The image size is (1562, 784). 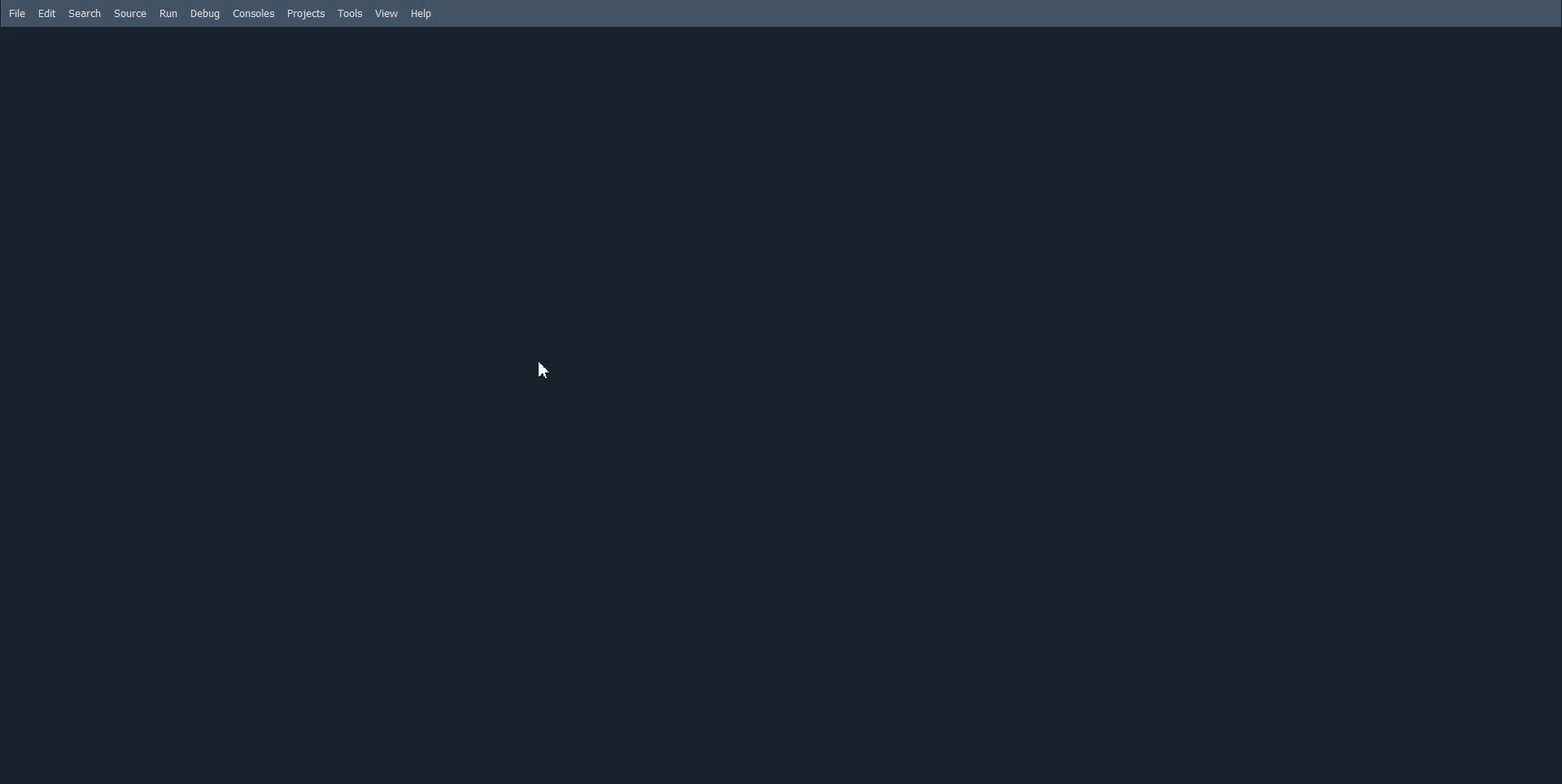 I want to click on File, so click(x=15, y=13).